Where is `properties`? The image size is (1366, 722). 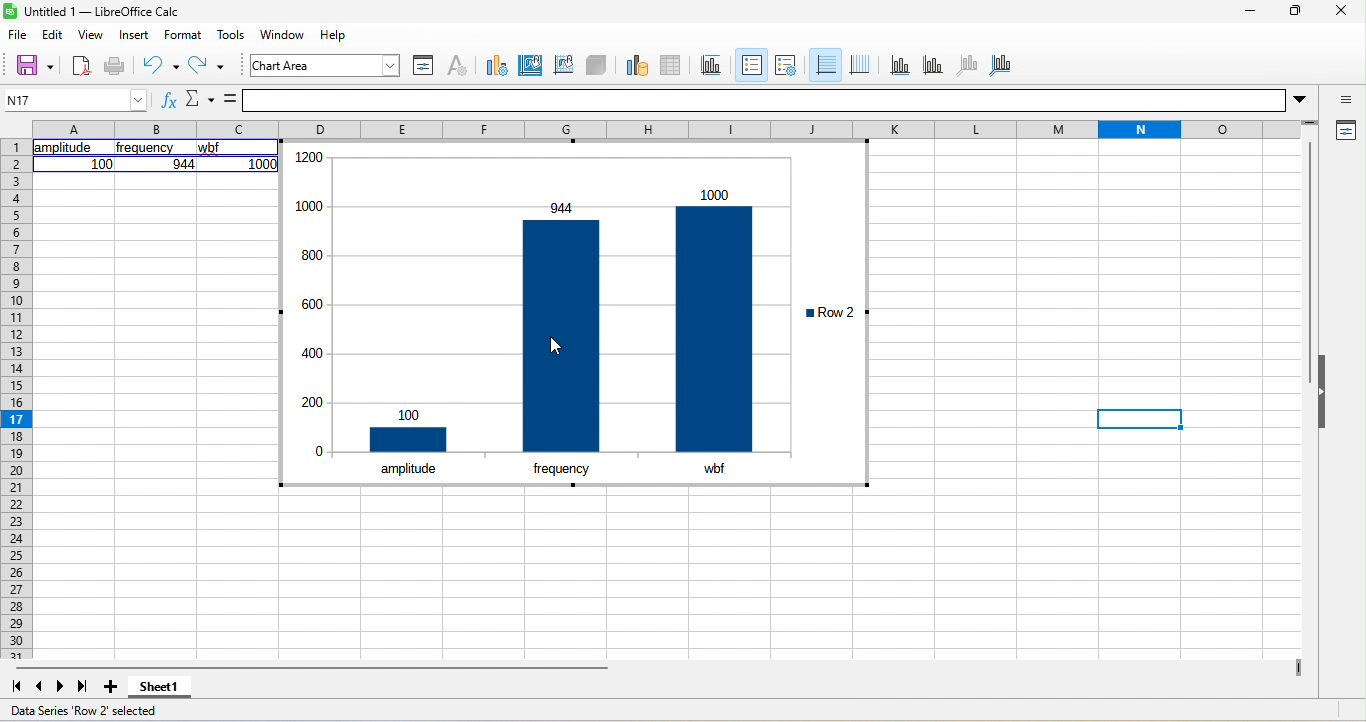
properties is located at coordinates (1342, 130).